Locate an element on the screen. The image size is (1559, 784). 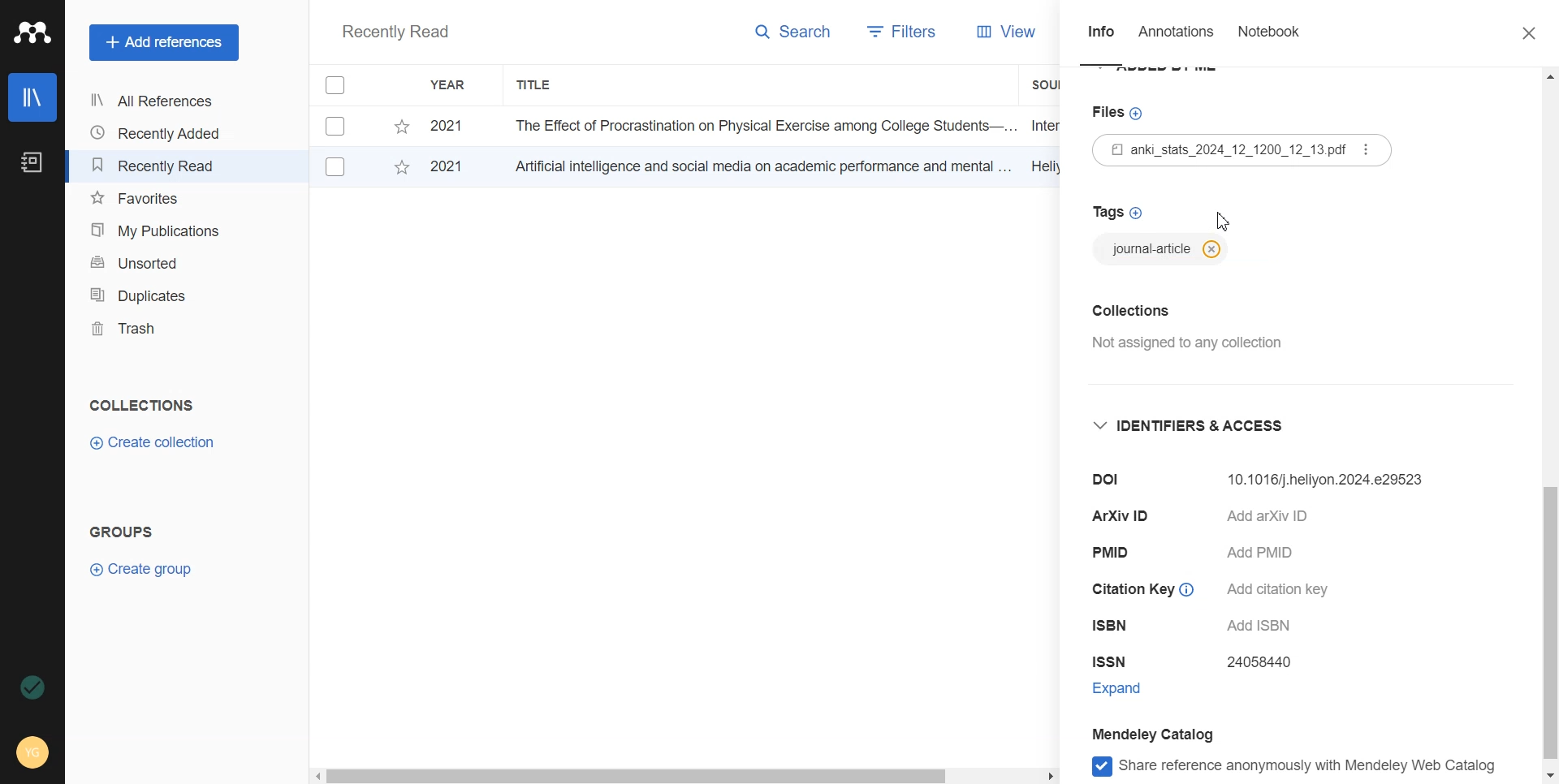
Create Collection is located at coordinates (154, 443).